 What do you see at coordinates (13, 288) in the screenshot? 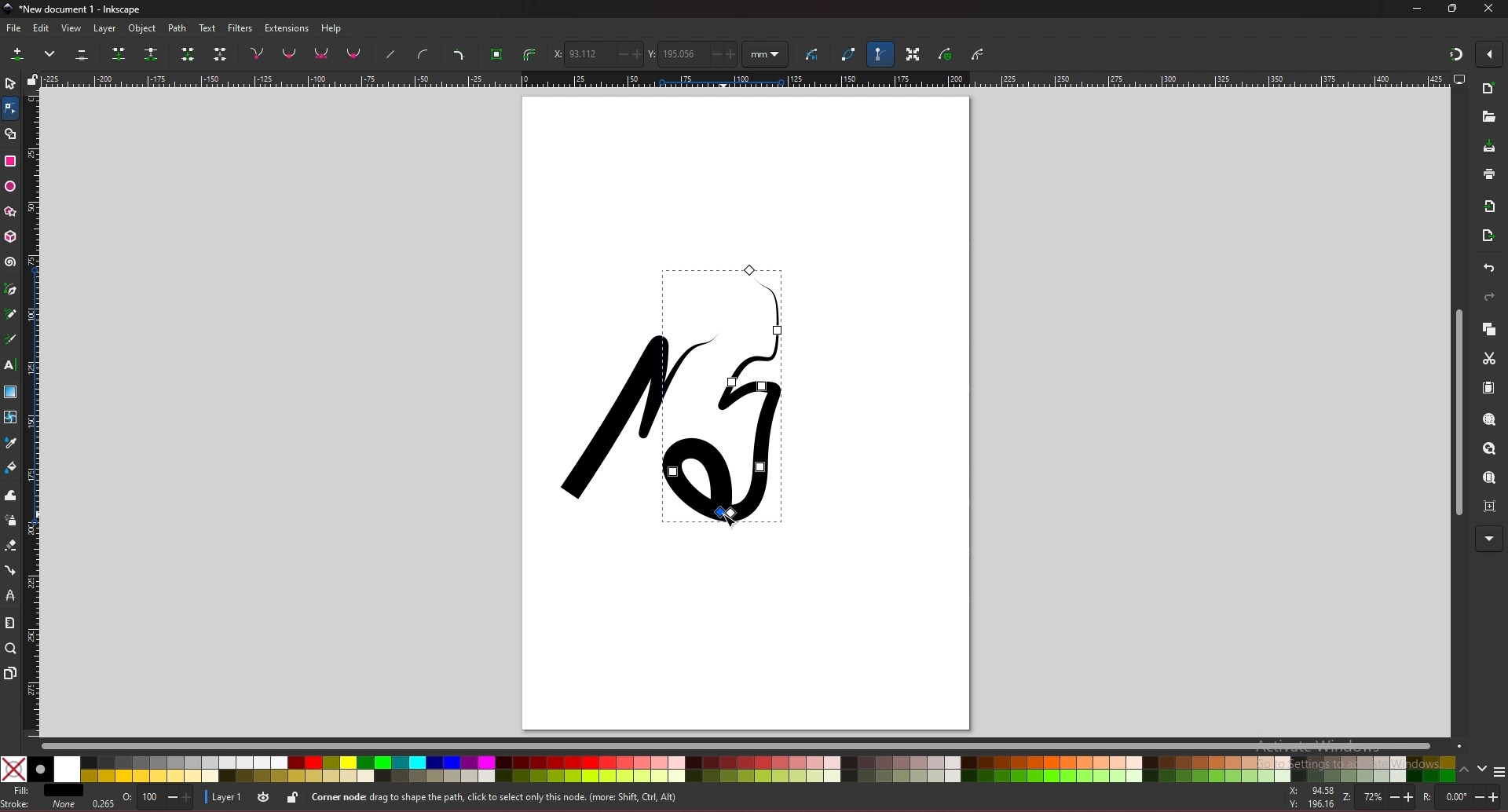
I see `pen` at bounding box center [13, 288].